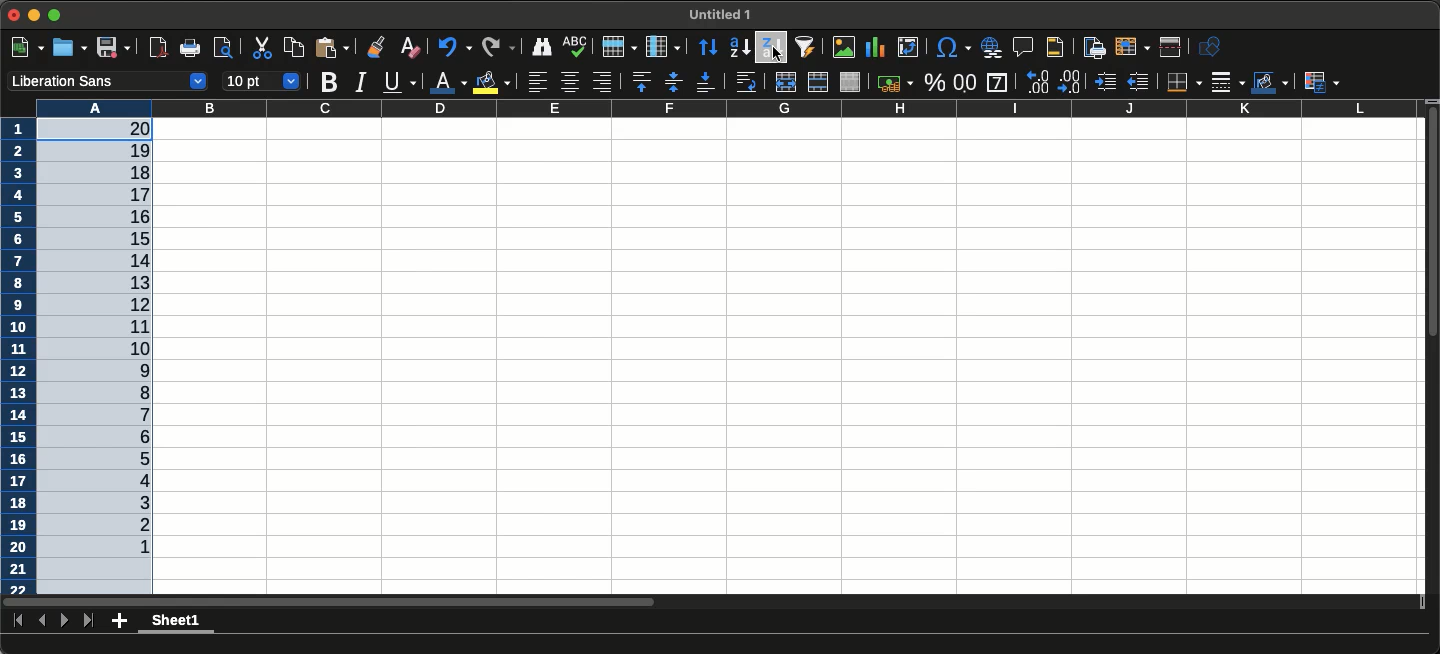 Image resolution: width=1440 pixels, height=654 pixels. Describe the element at coordinates (1037, 81) in the screenshot. I see `Delete decimal place` at that location.